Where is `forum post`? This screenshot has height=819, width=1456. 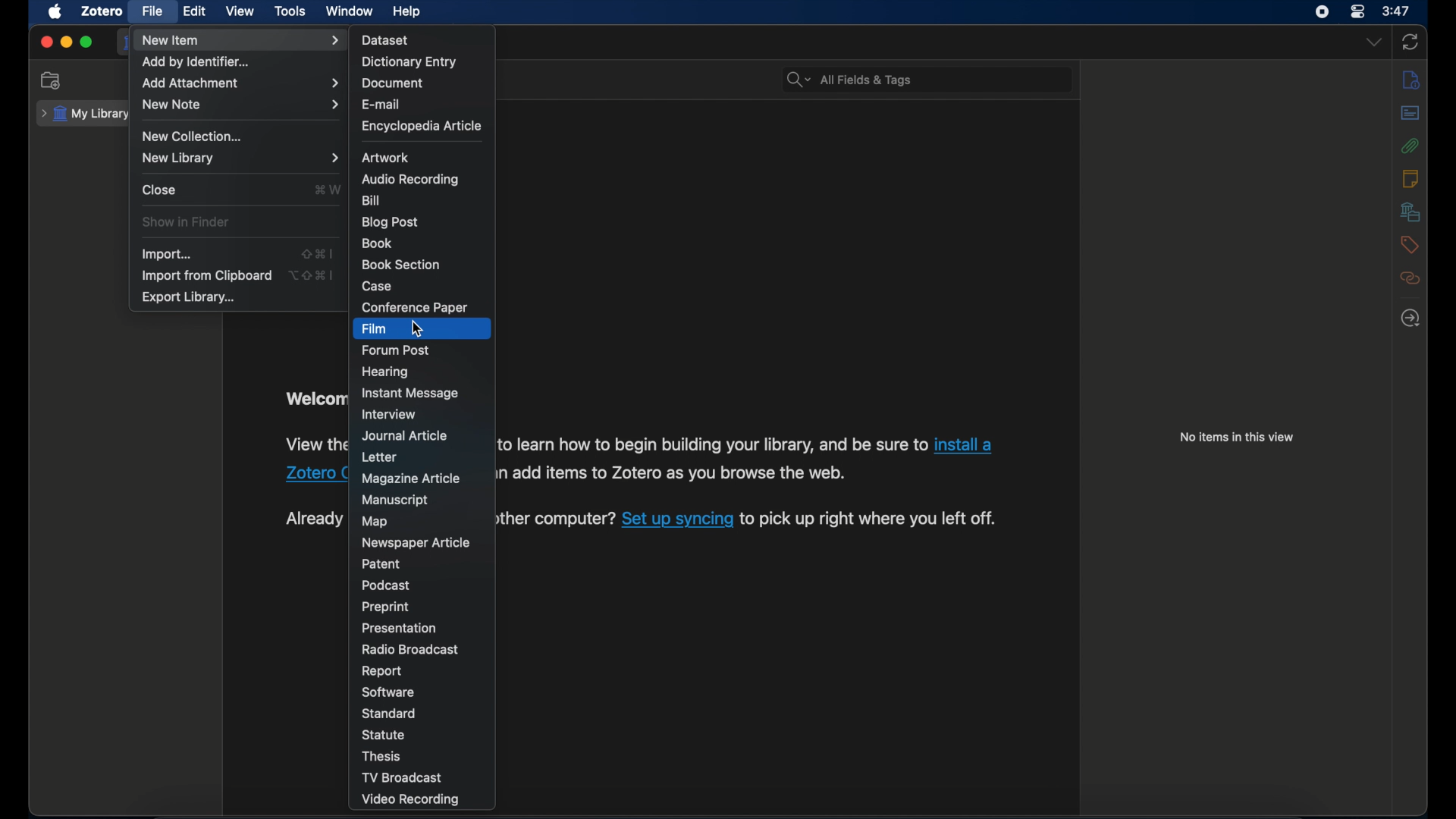 forum post is located at coordinates (397, 350).